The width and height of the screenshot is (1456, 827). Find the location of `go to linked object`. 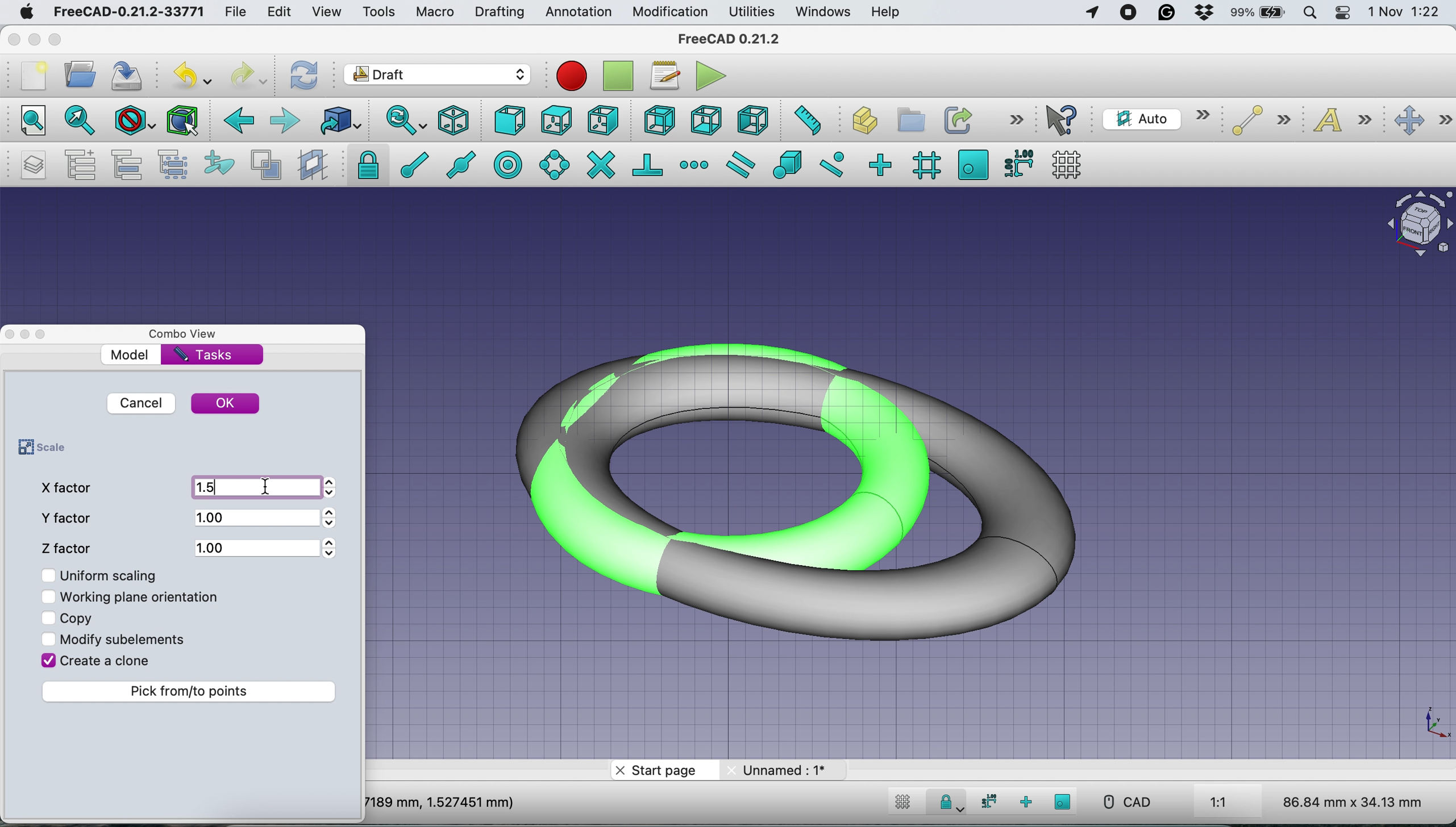

go to linked object is located at coordinates (339, 120).